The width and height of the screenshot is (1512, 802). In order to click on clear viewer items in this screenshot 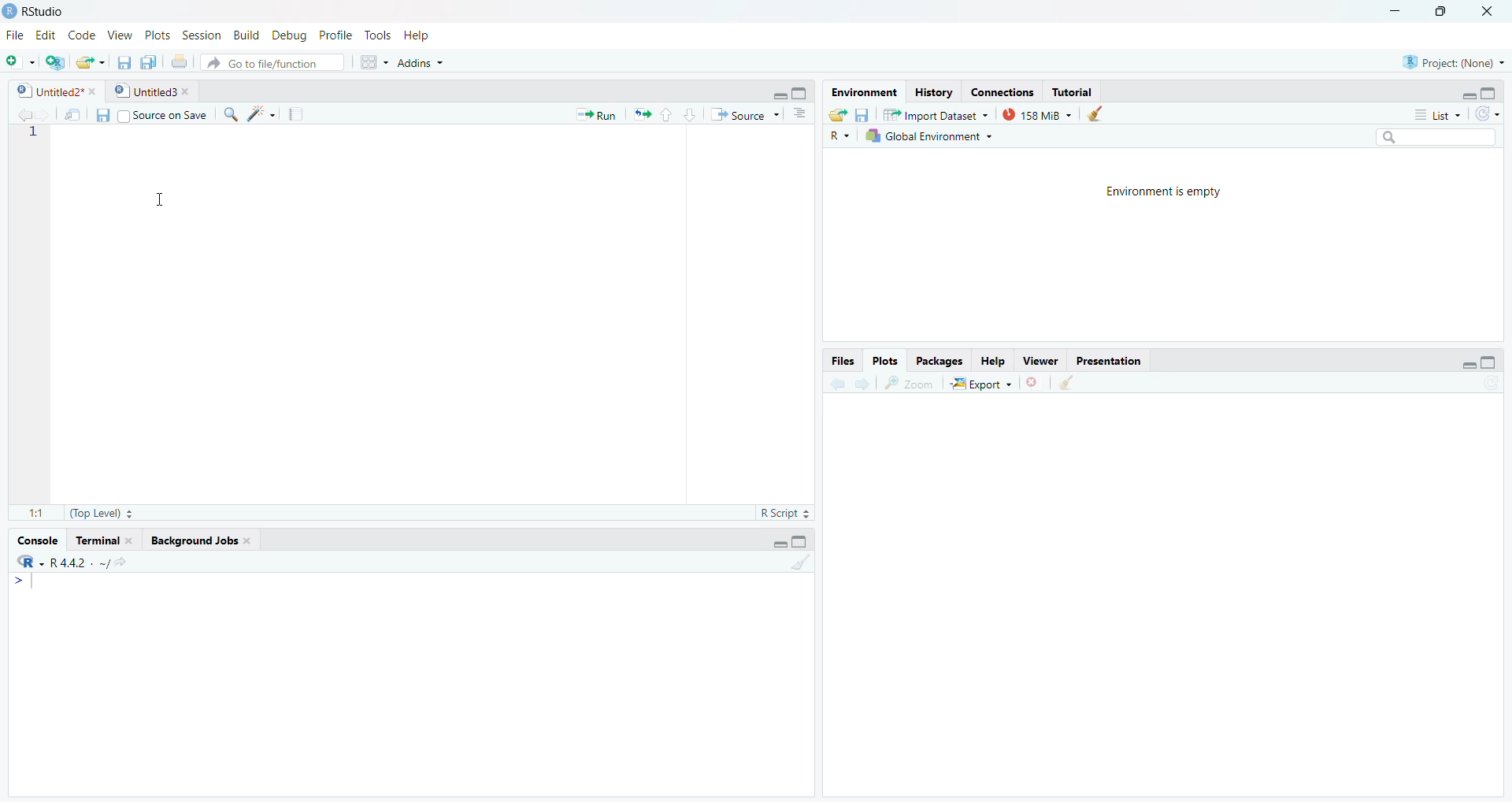, I will do `click(1100, 114)`.